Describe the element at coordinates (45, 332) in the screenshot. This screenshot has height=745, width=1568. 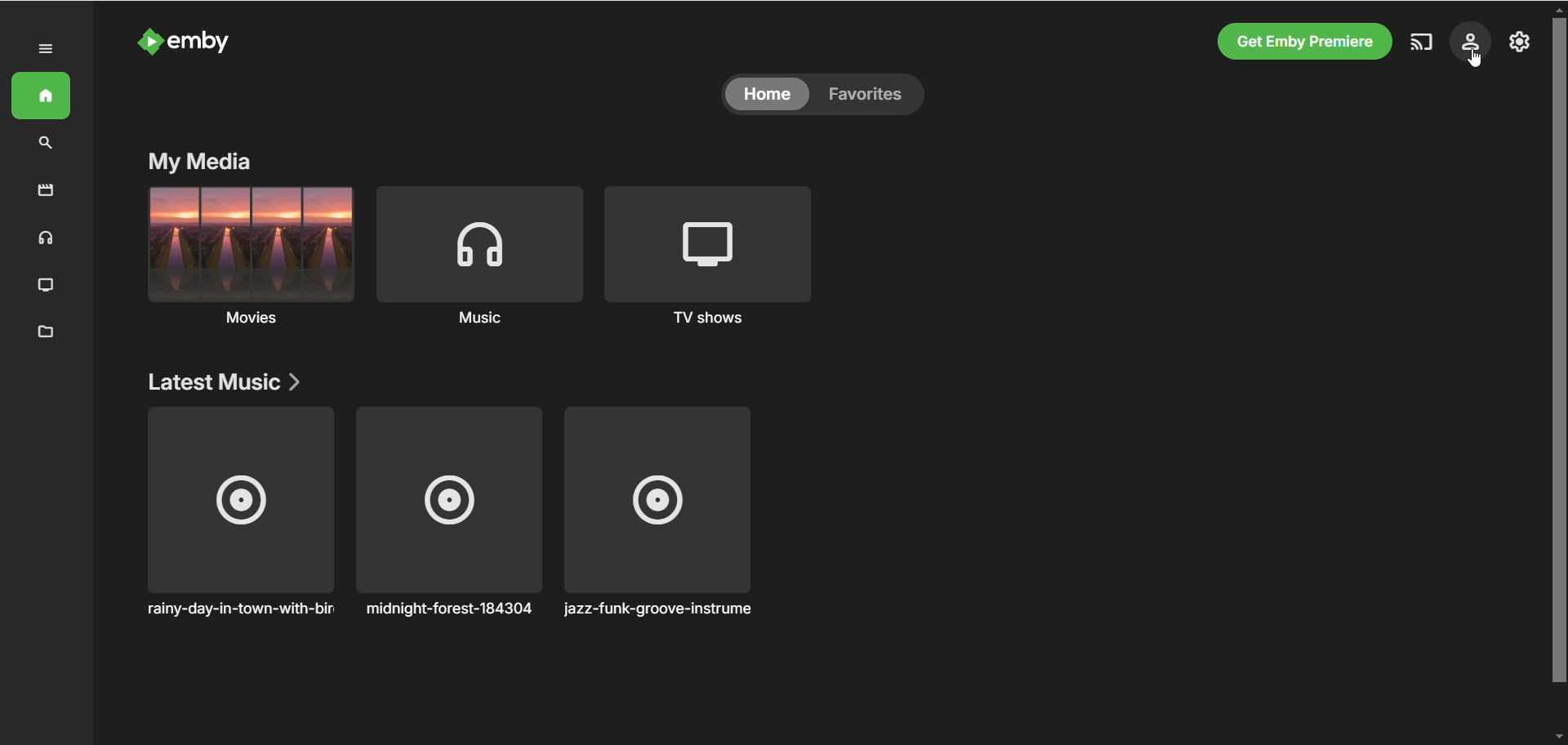
I see `metadata manager` at that location.